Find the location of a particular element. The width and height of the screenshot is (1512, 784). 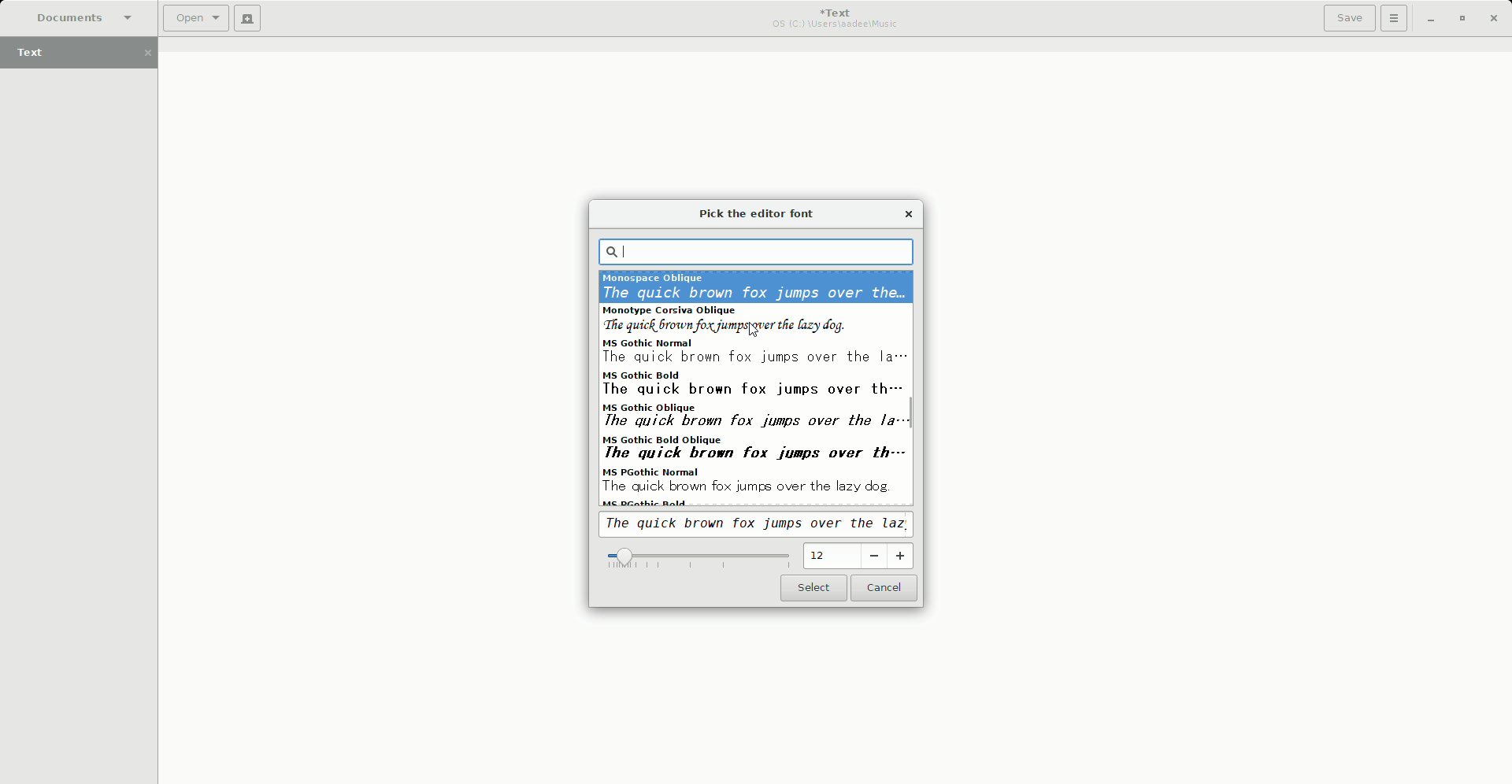

Restore is located at coordinates (1461, 18).